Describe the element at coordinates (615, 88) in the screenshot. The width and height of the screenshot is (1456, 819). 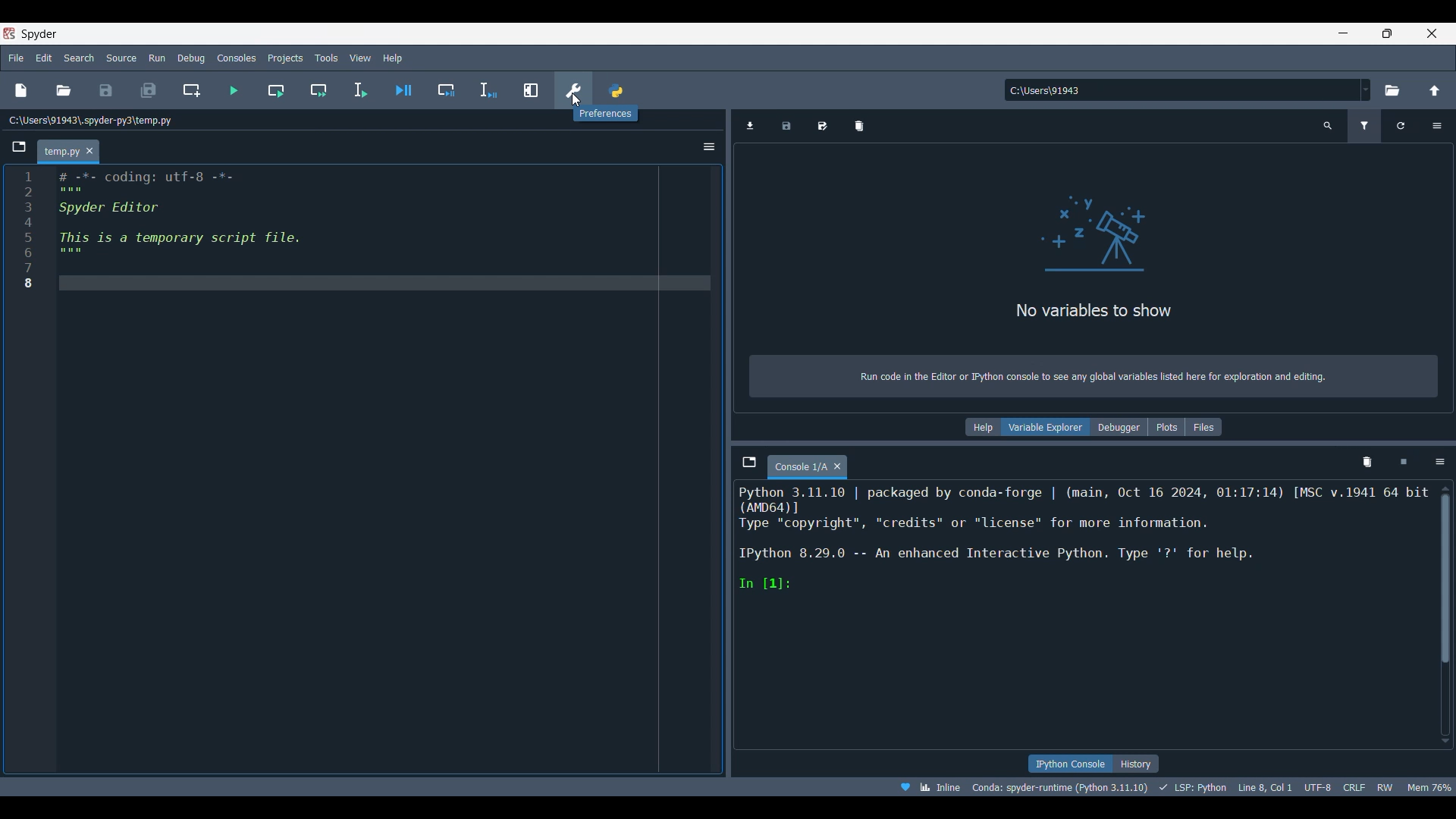
I see `PYTHONPATH manager` at that location.